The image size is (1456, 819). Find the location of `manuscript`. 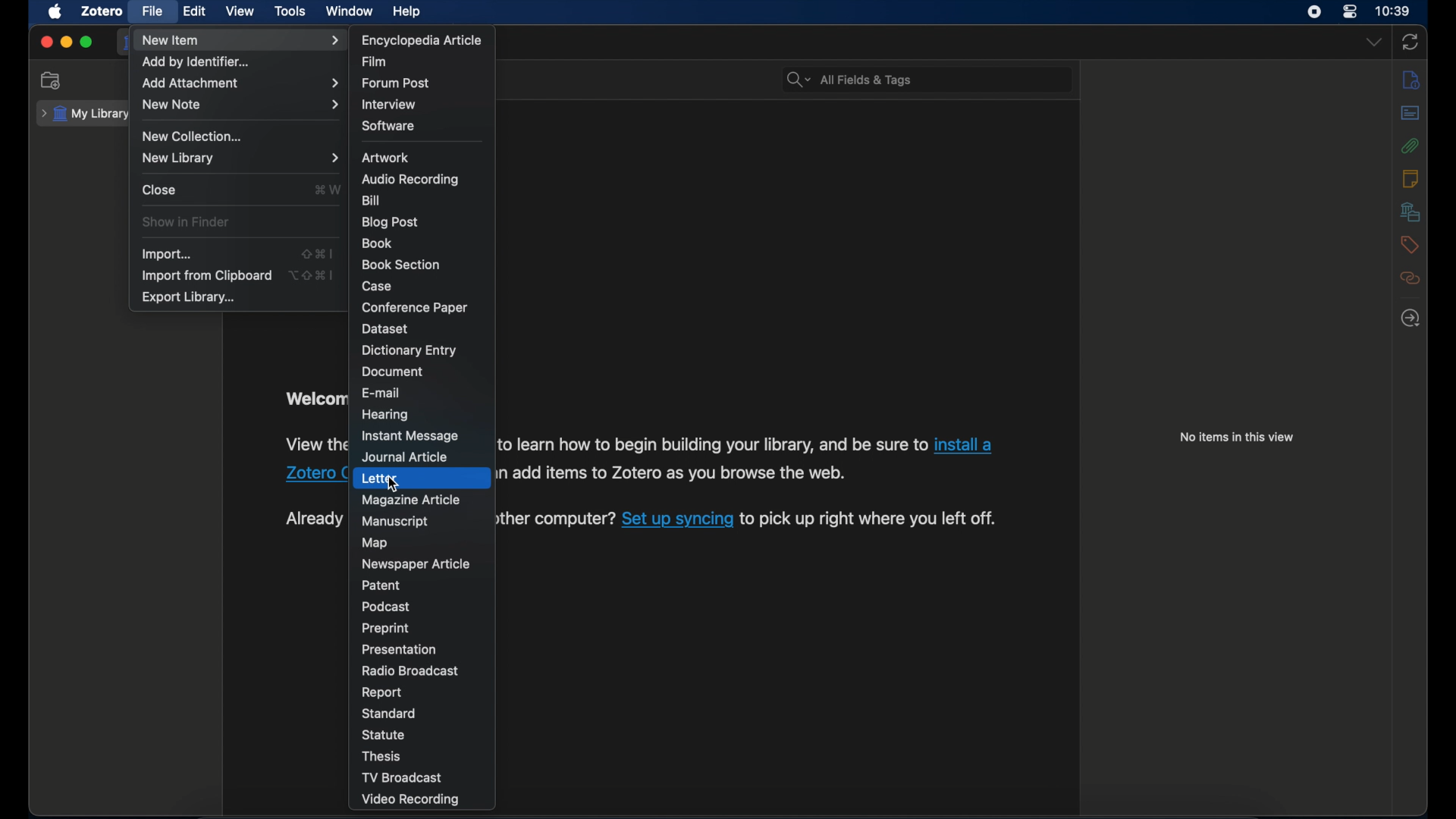

manuscript is located at coordinates (395, 522).